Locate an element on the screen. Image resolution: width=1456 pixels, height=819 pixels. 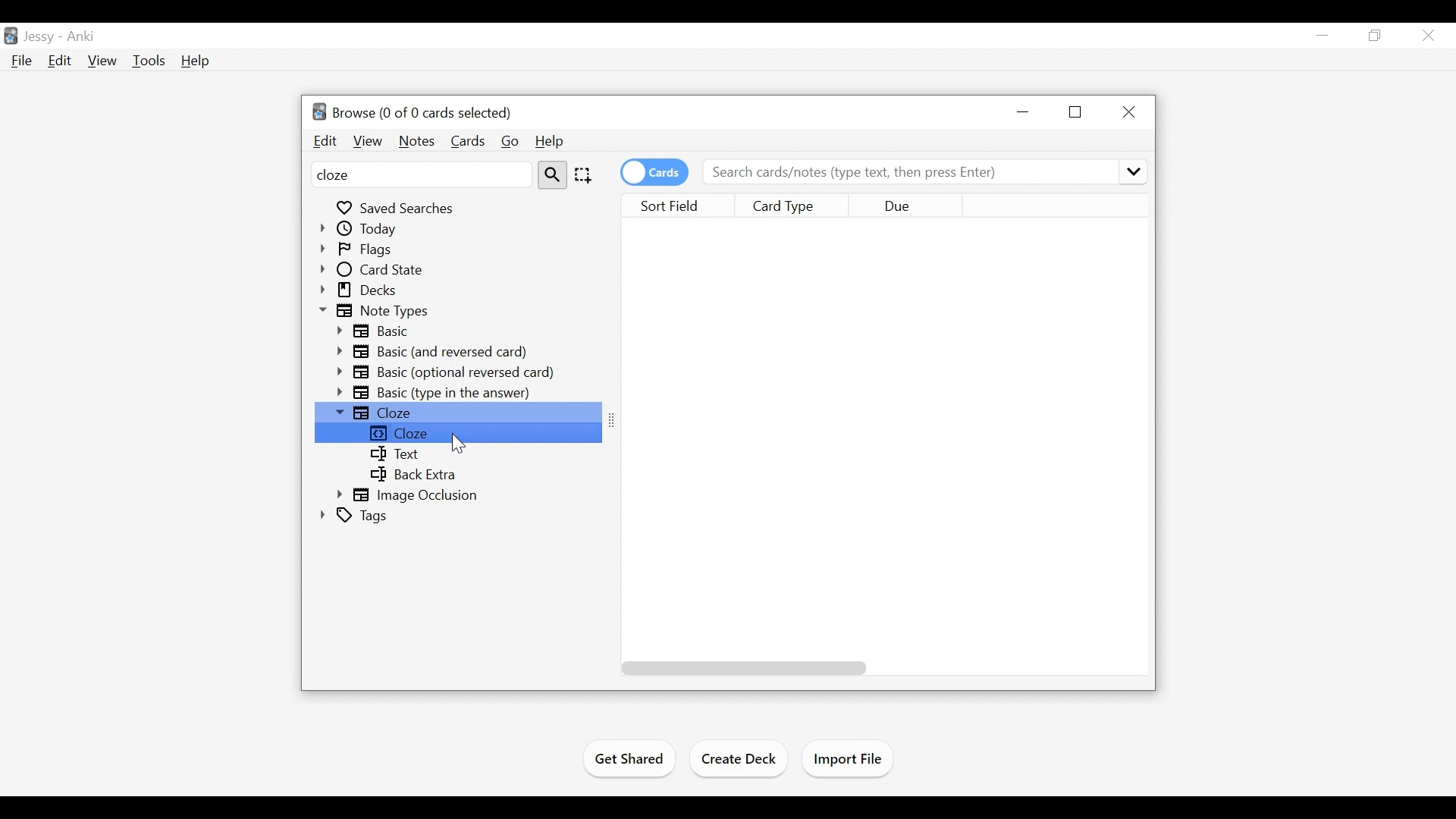
Basic (and Reversed card) is located at coordinates (438, 352).